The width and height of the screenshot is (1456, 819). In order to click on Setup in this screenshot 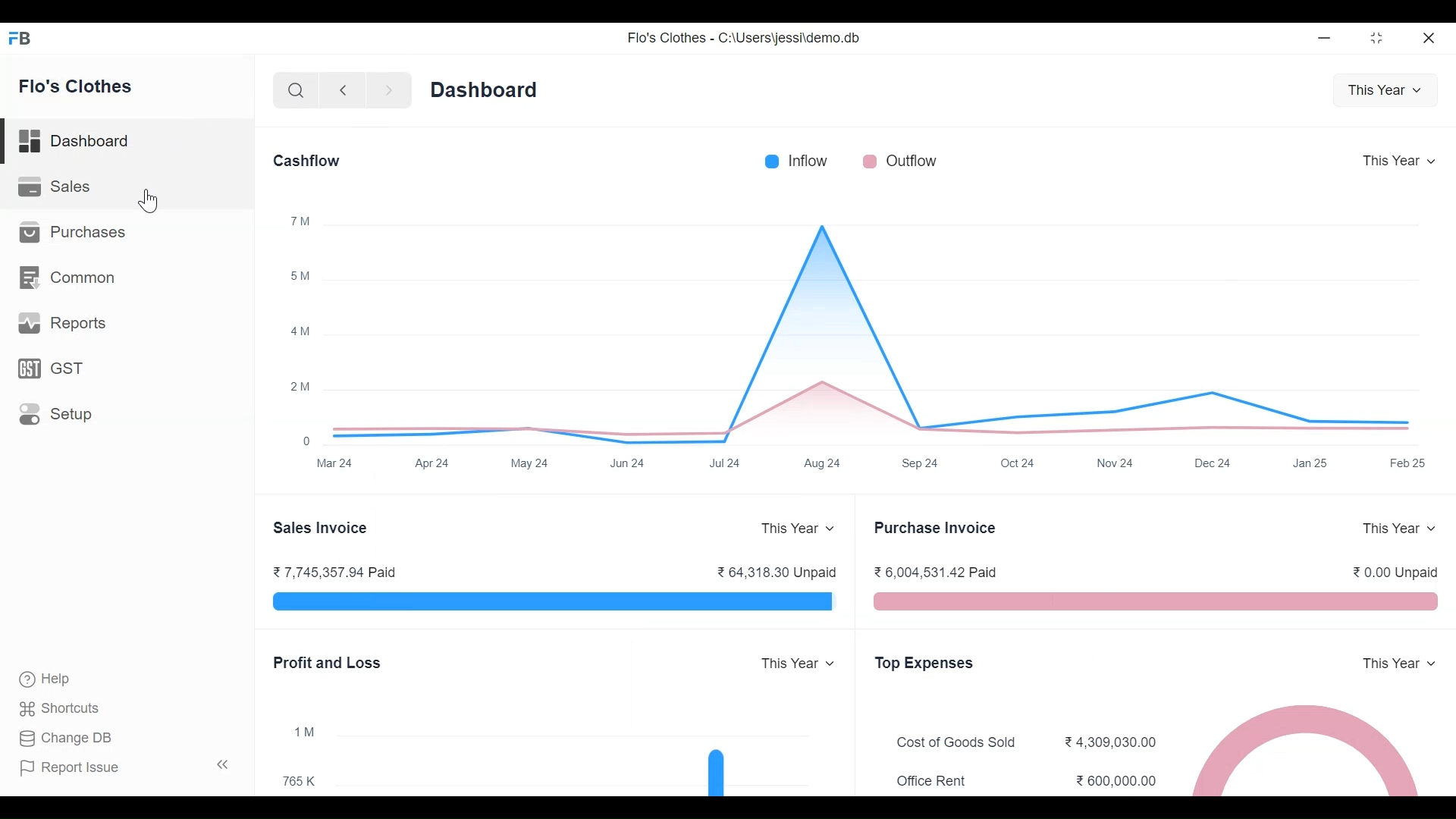, I will do `click(60, 413)`.